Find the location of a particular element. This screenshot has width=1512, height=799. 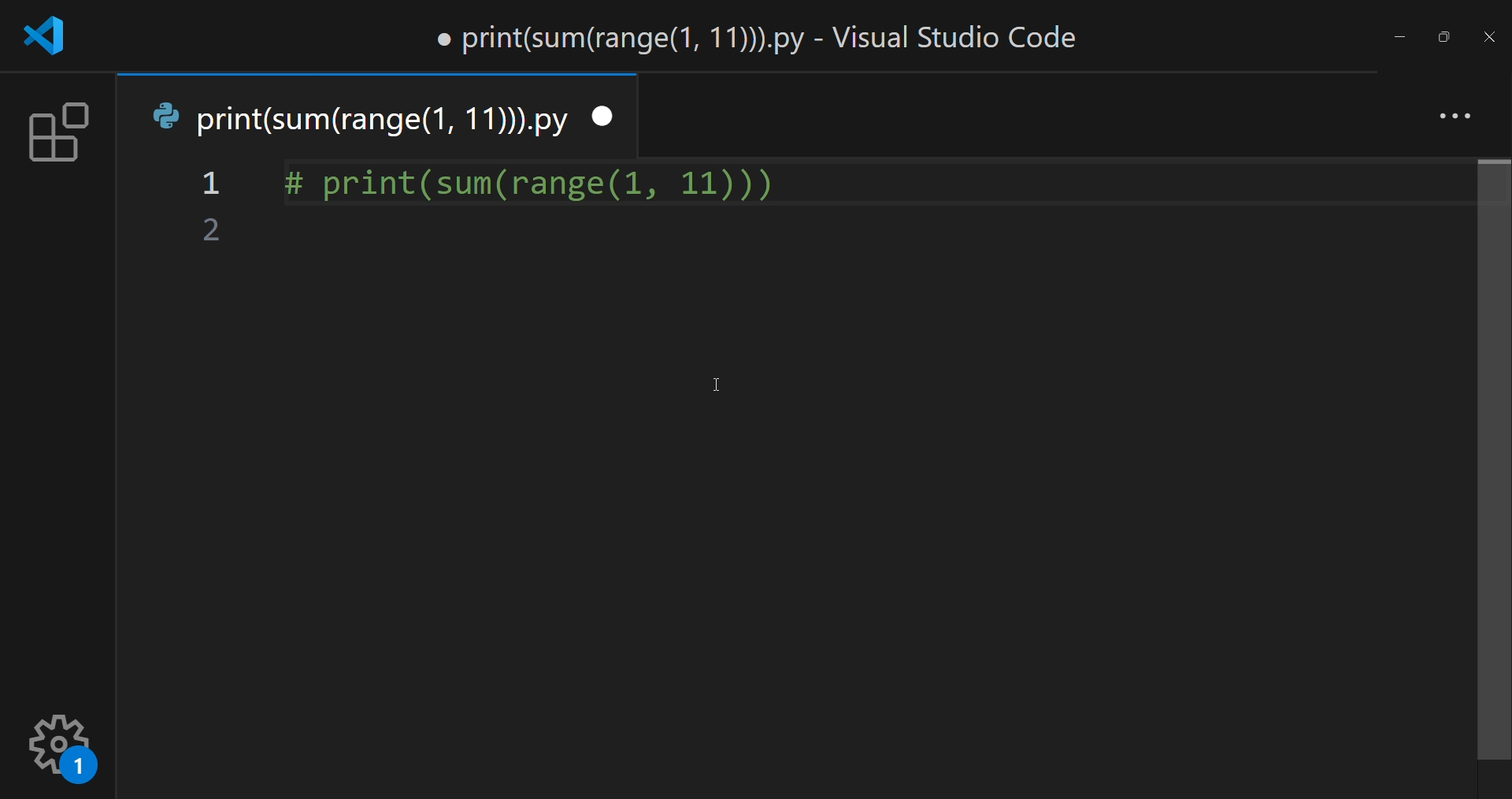

setting is located at coordinates (64, 745).